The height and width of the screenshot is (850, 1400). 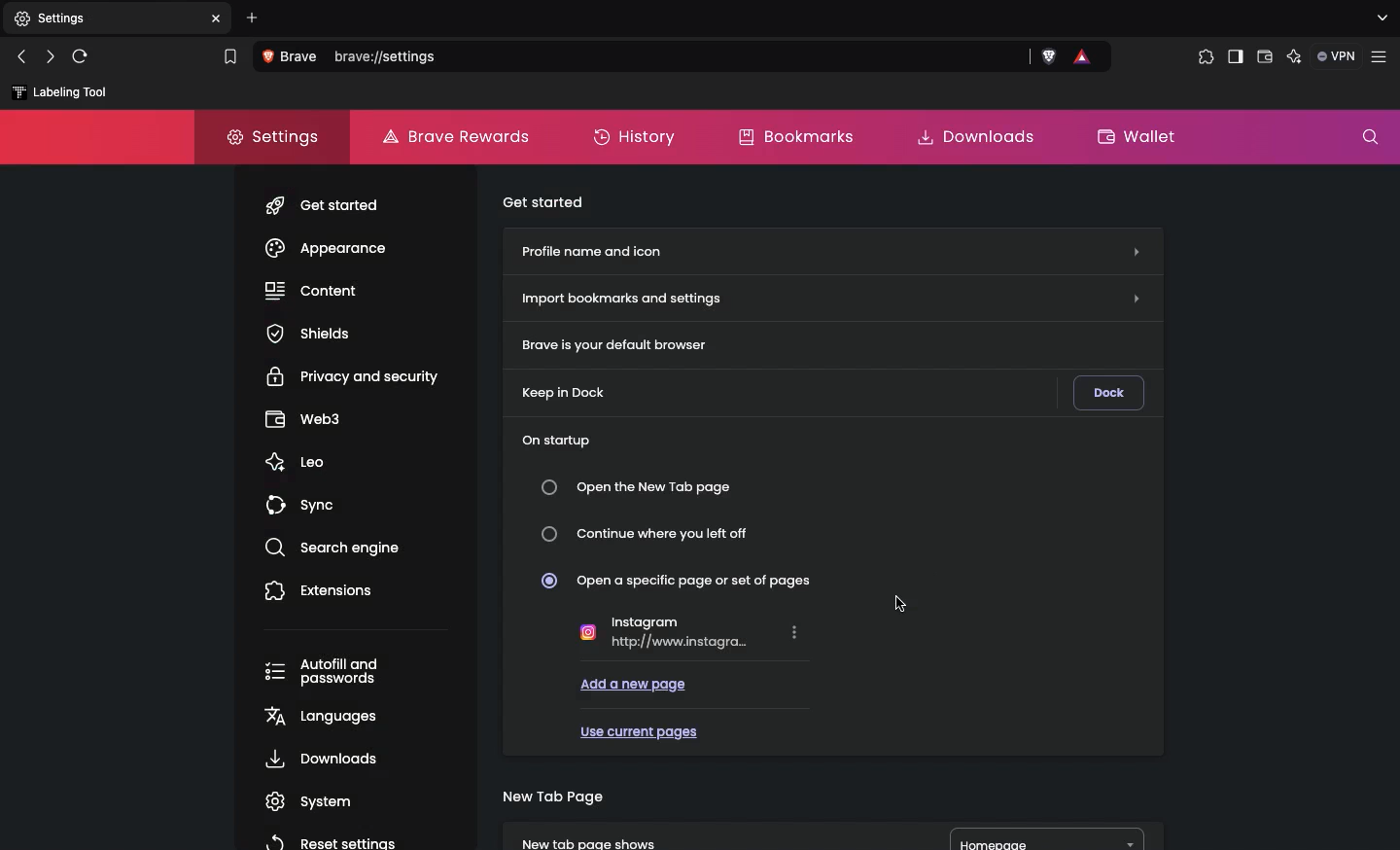 What do you see at coordinates (690, 631) in the screenshot?
I see `Instagram` at bounding box center [690, 631].